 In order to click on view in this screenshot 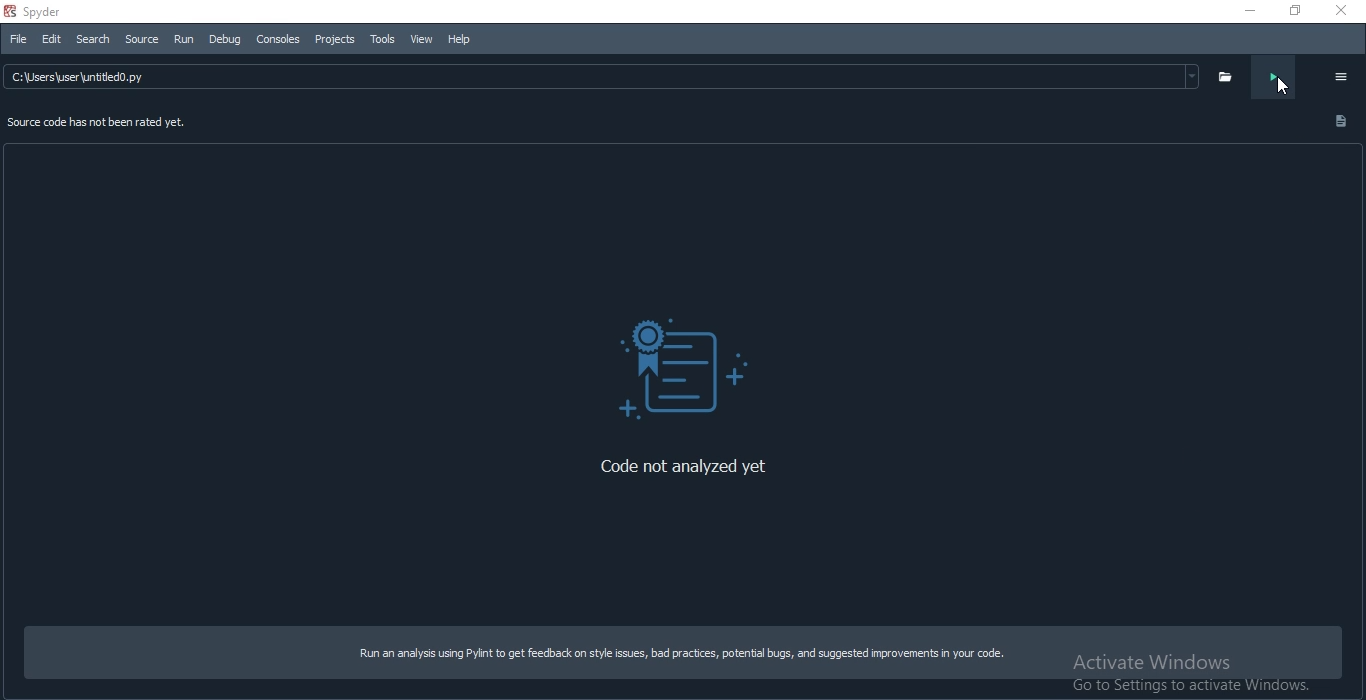, I will do `click(421, 39)`.